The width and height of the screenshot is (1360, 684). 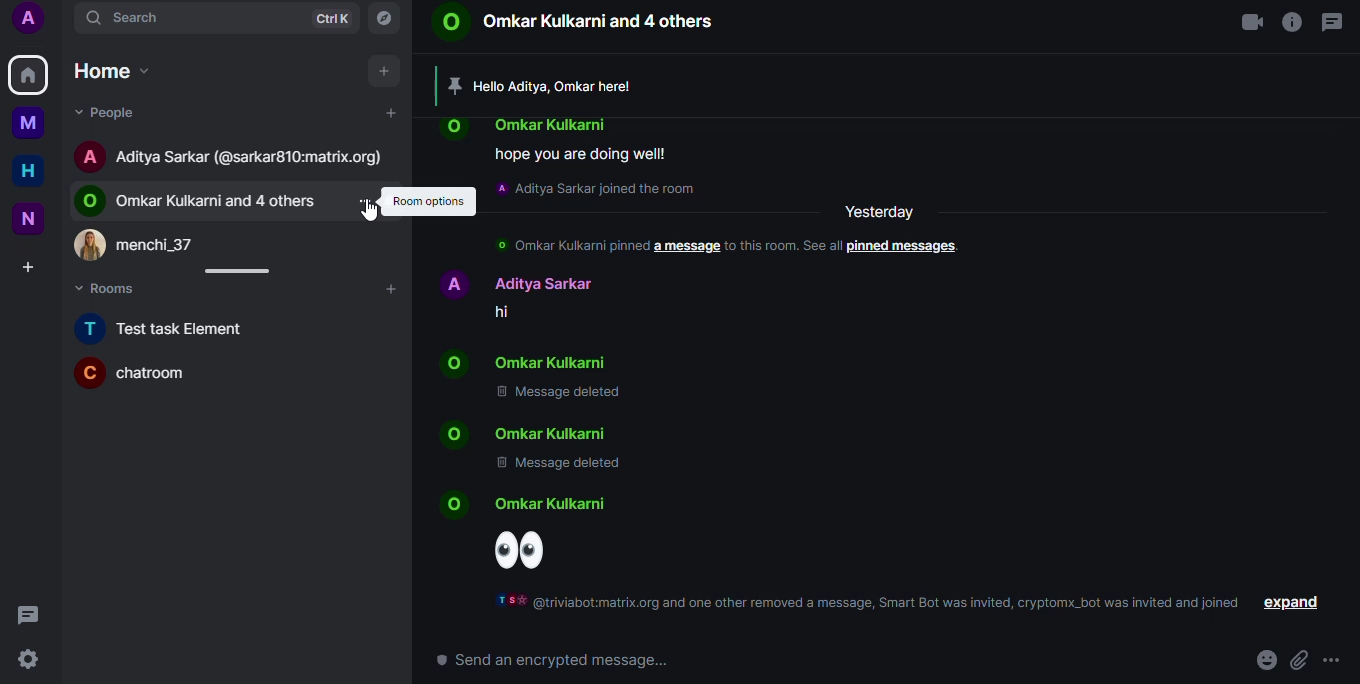 What do you see at coordinates (524, 126) in the screenshot?
I see `contact` at bounding box center [524, 126].